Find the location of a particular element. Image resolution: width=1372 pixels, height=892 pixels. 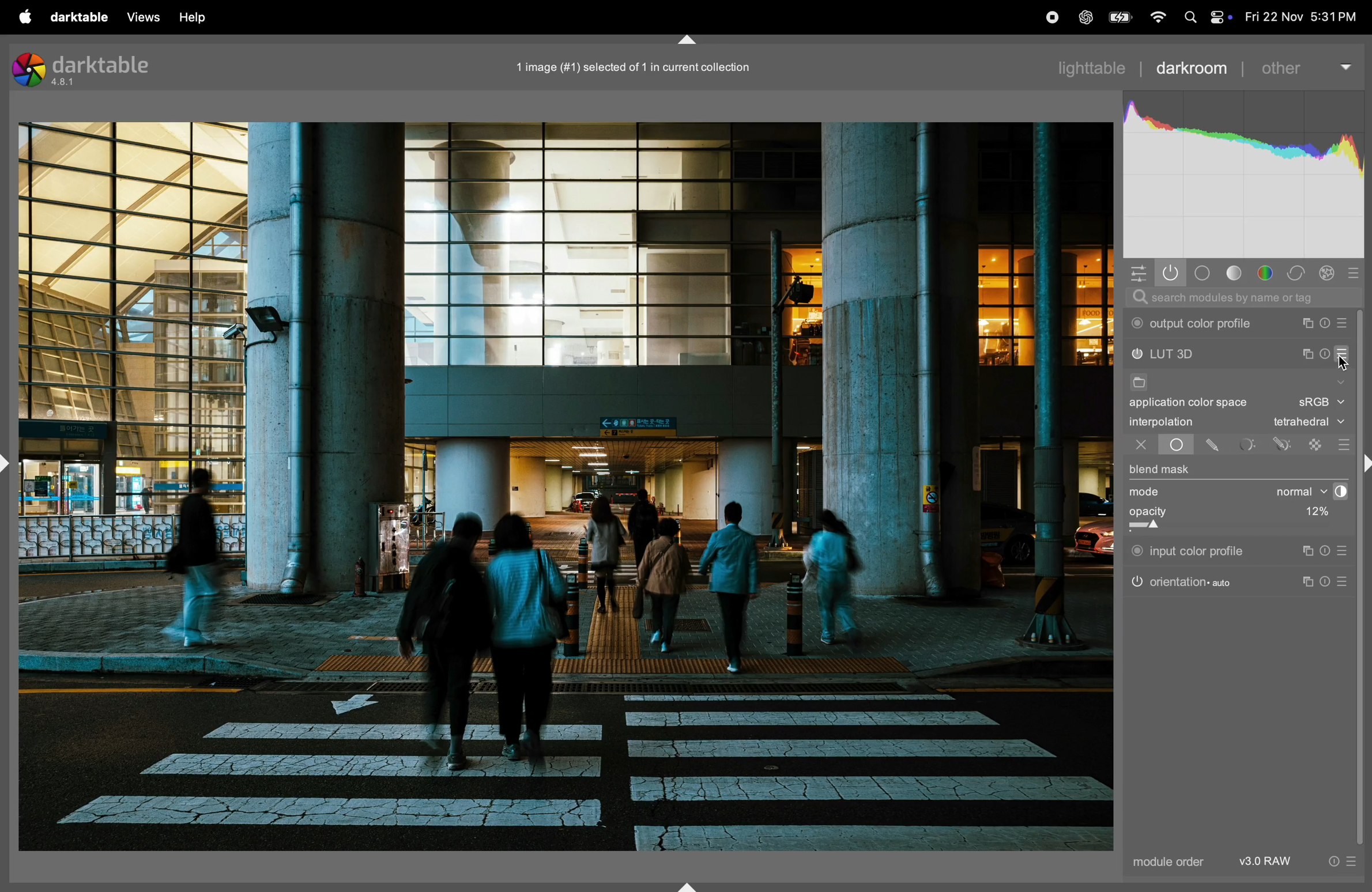

image is located at coordinates (627, 67).